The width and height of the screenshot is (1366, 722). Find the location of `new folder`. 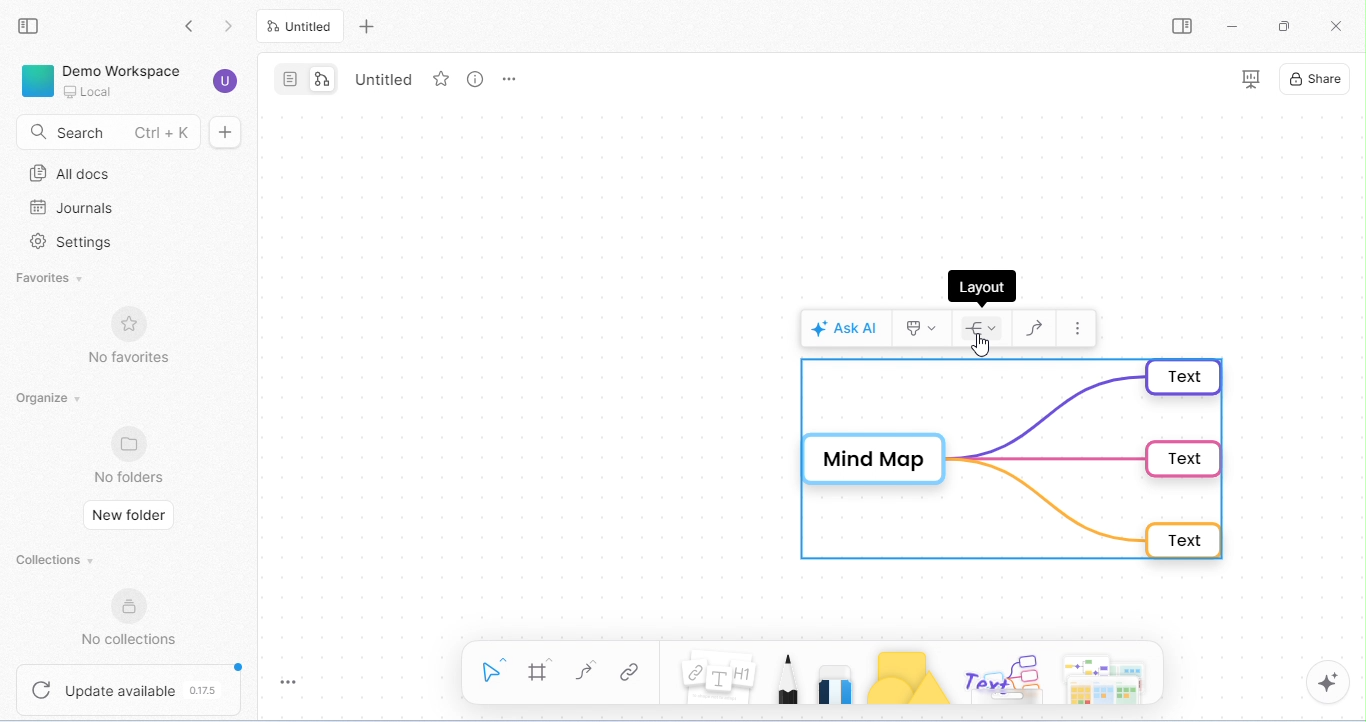

new folder is located at coordinates (129, 517).